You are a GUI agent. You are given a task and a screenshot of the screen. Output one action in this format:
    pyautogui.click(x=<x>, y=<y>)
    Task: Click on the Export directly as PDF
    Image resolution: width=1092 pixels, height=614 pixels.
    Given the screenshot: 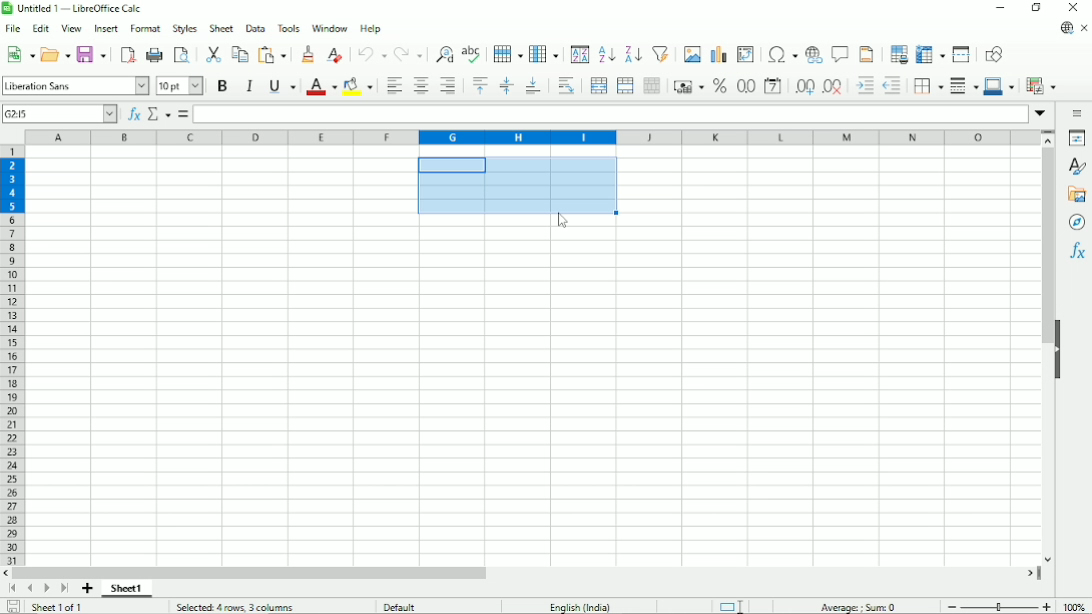 What is the action you would take?
    pyautogui.click(x=128, y=55)
    